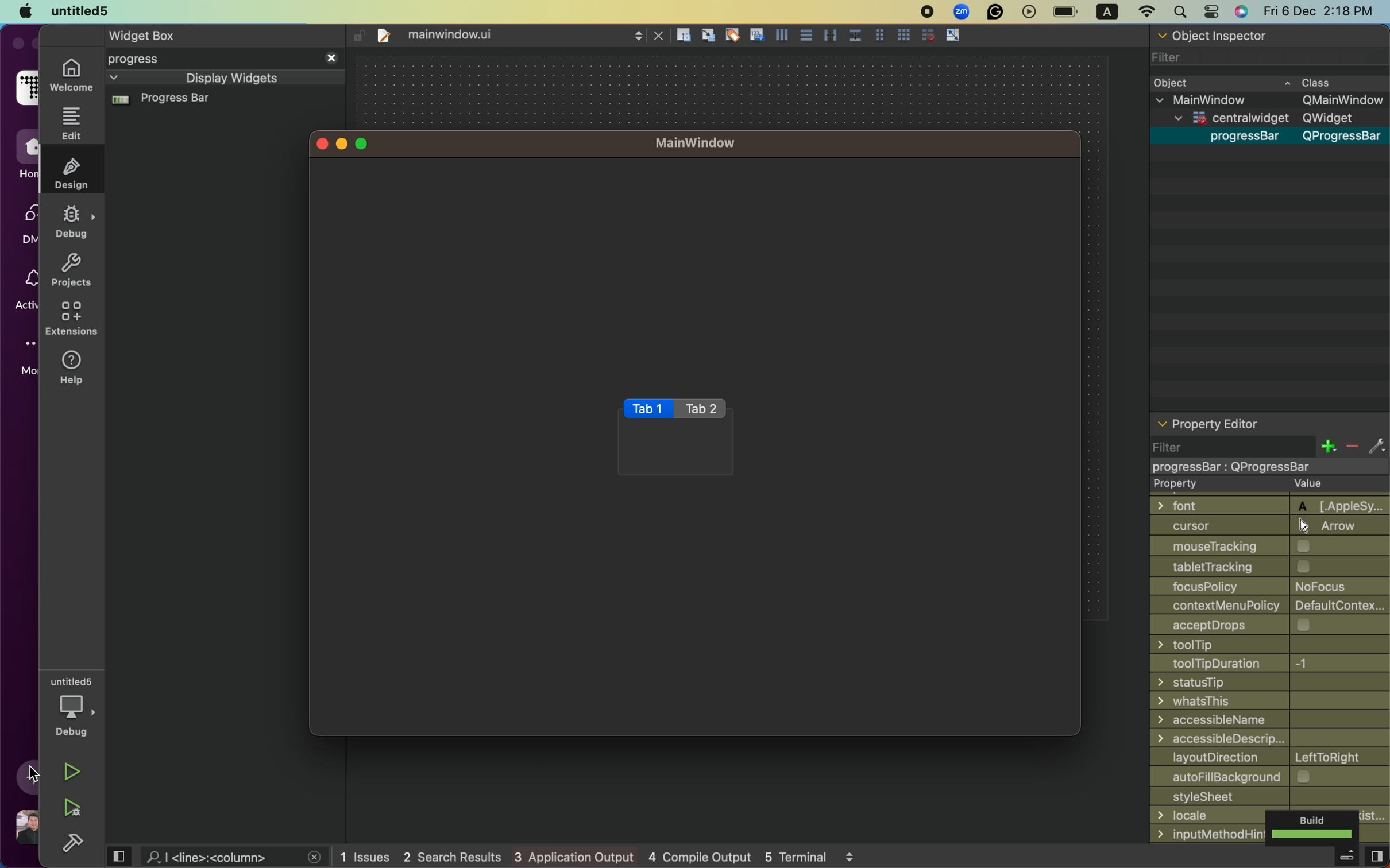 This screenshot has height=868, width=1390. What do you see at coordinates (71, 76) in the screenshot?
I see `home` at bounding box center [71, 76].